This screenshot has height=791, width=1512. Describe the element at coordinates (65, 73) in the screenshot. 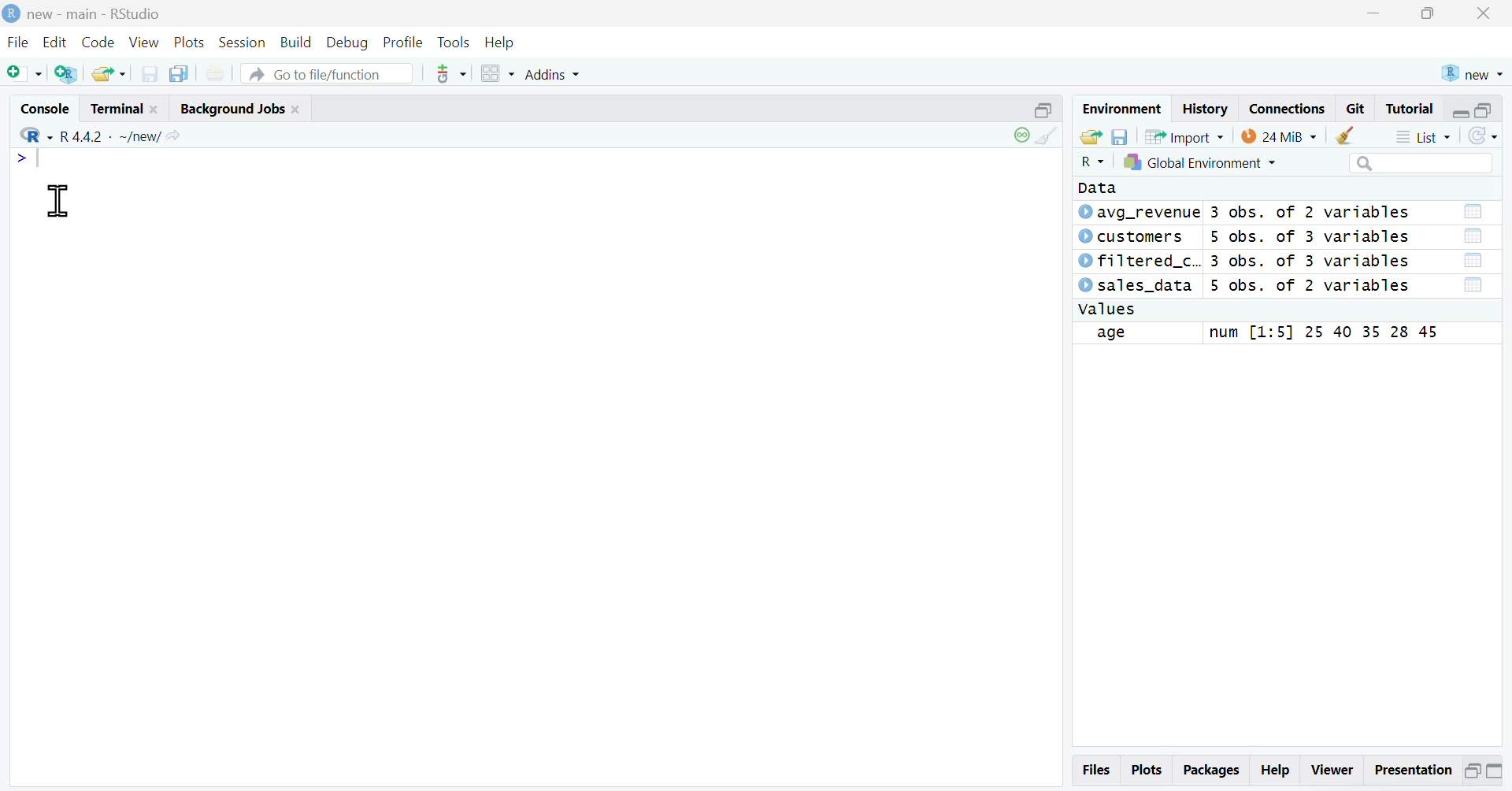

I see `Create a Project` at that location.